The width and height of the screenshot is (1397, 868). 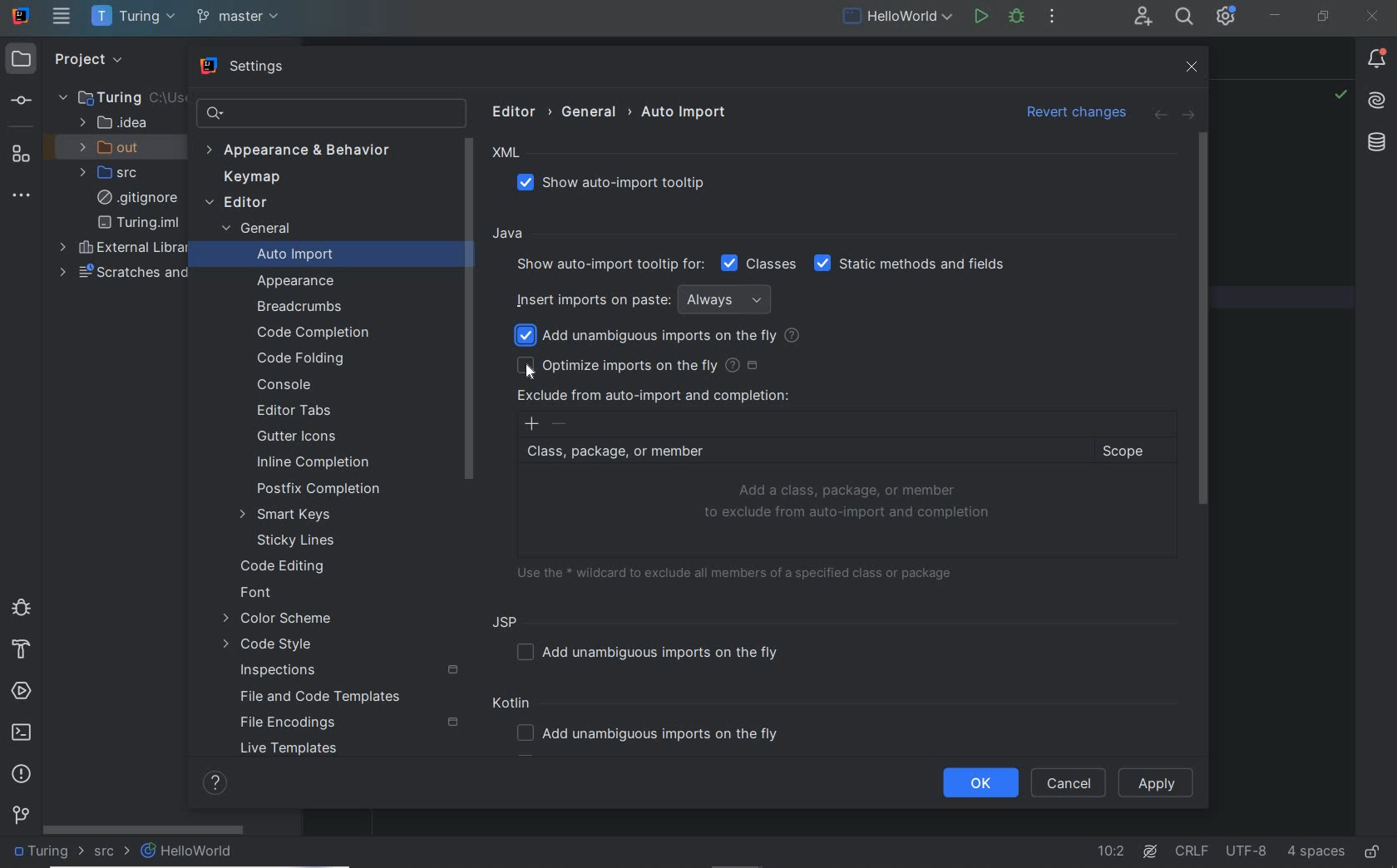 What do you see at coordinates (23, 692) in the screenshot?
I see `services` at bounding box center [23, 692].